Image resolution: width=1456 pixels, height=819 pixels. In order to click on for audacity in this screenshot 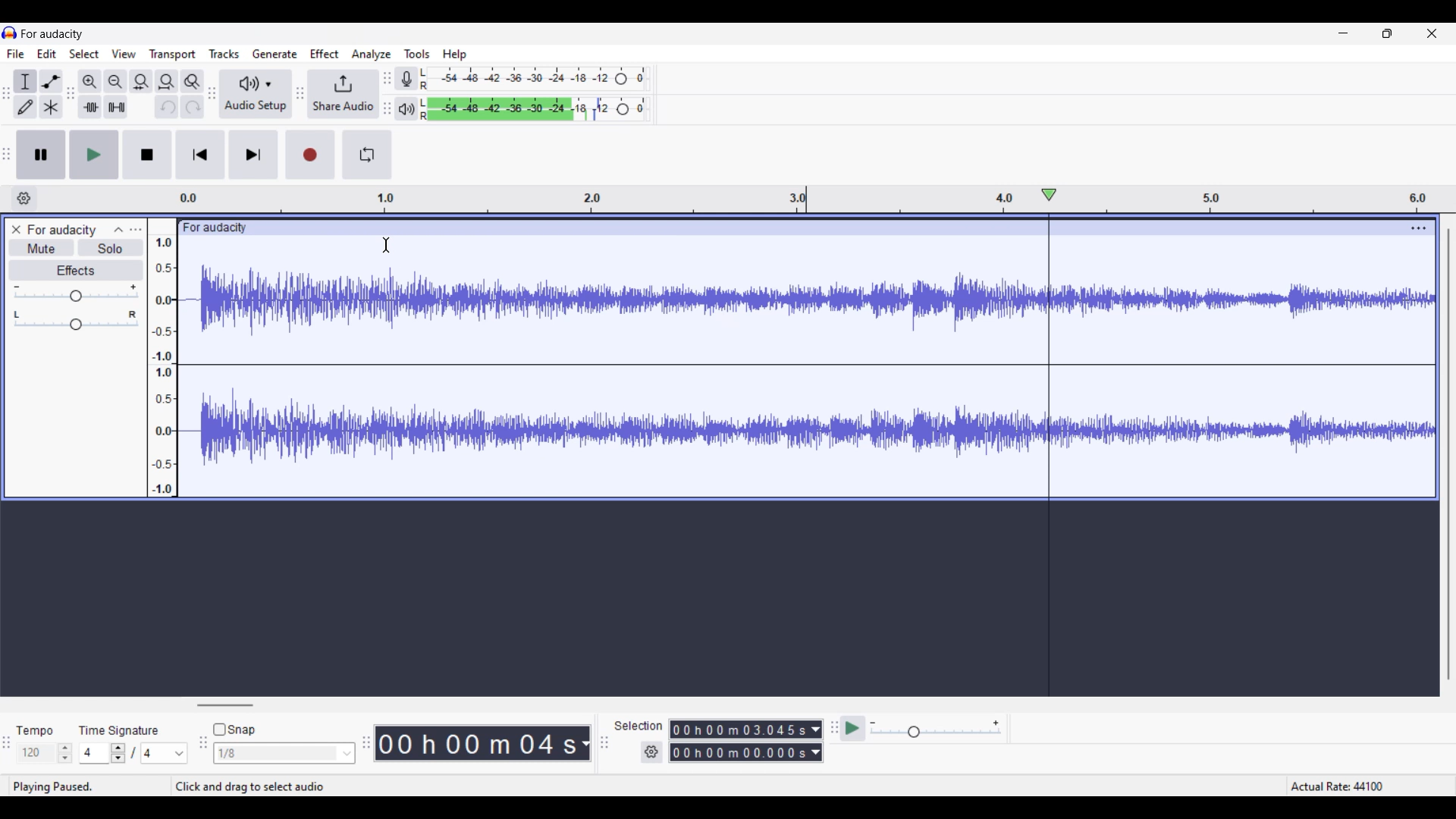, I will do `click(52, 34)`.